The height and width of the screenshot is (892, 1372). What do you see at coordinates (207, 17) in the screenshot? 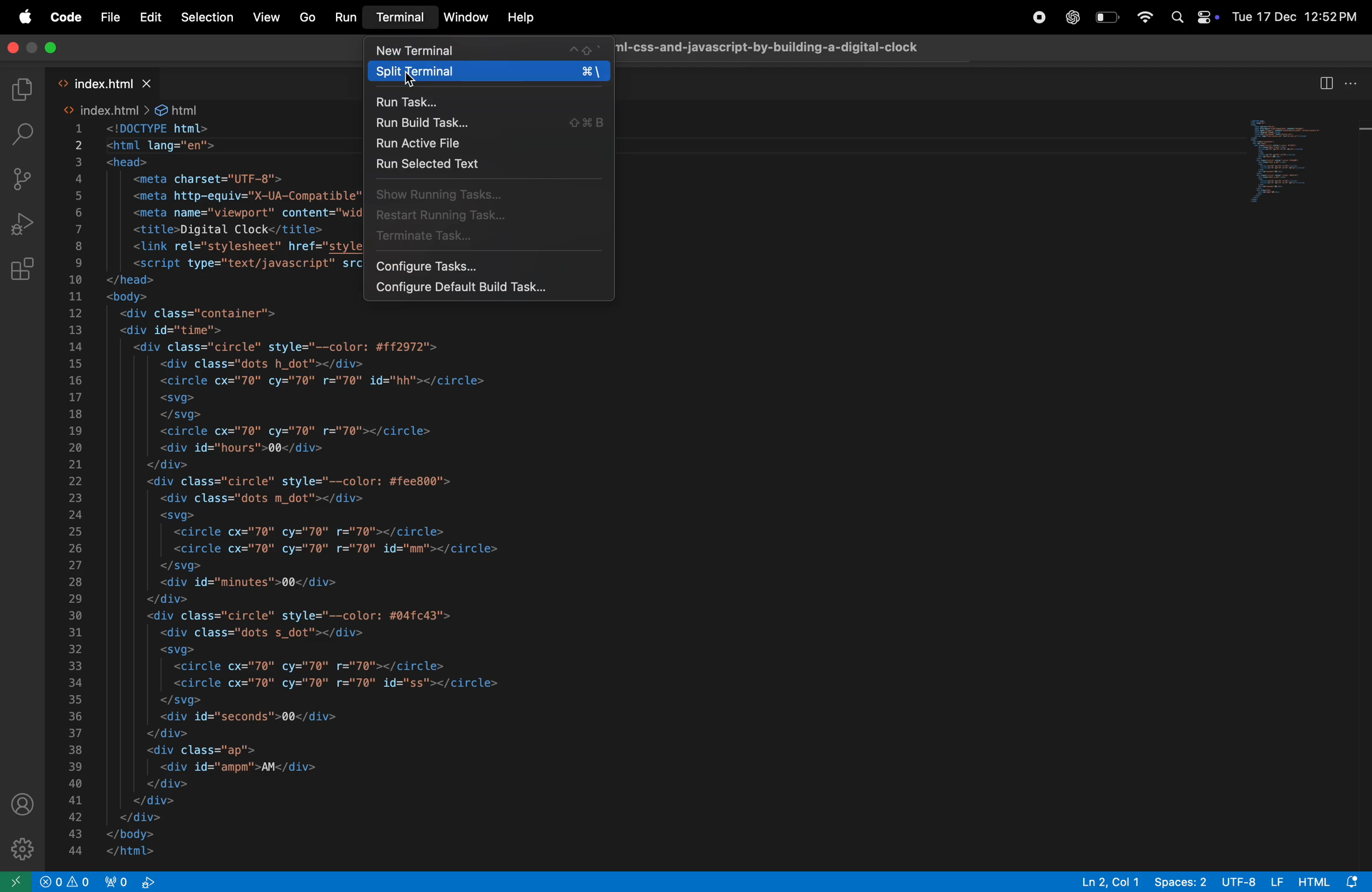
I see `selection` at bounding box center [207, 17].